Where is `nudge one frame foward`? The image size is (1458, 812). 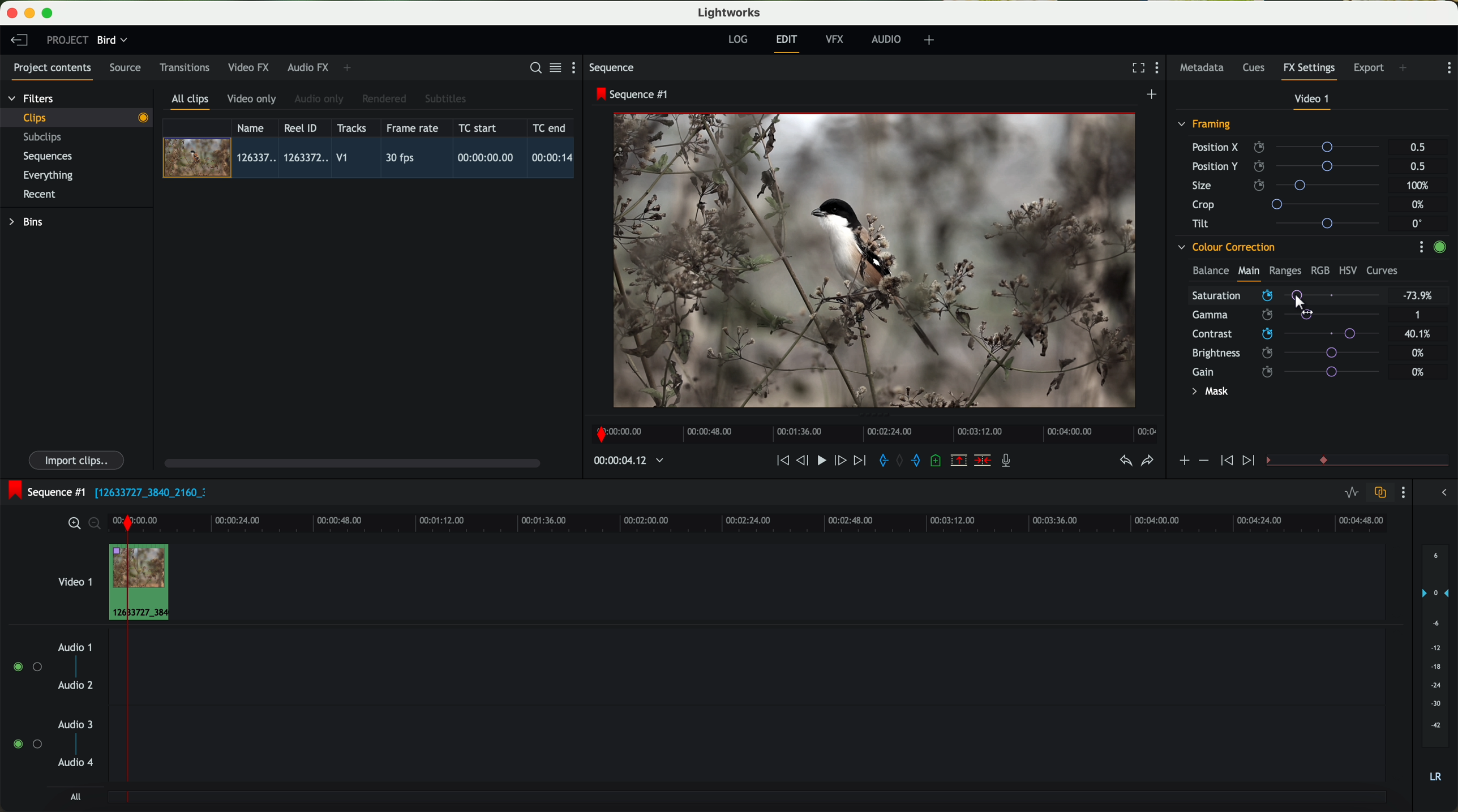
nudge one frame foward is located at coordinates (842, 461).